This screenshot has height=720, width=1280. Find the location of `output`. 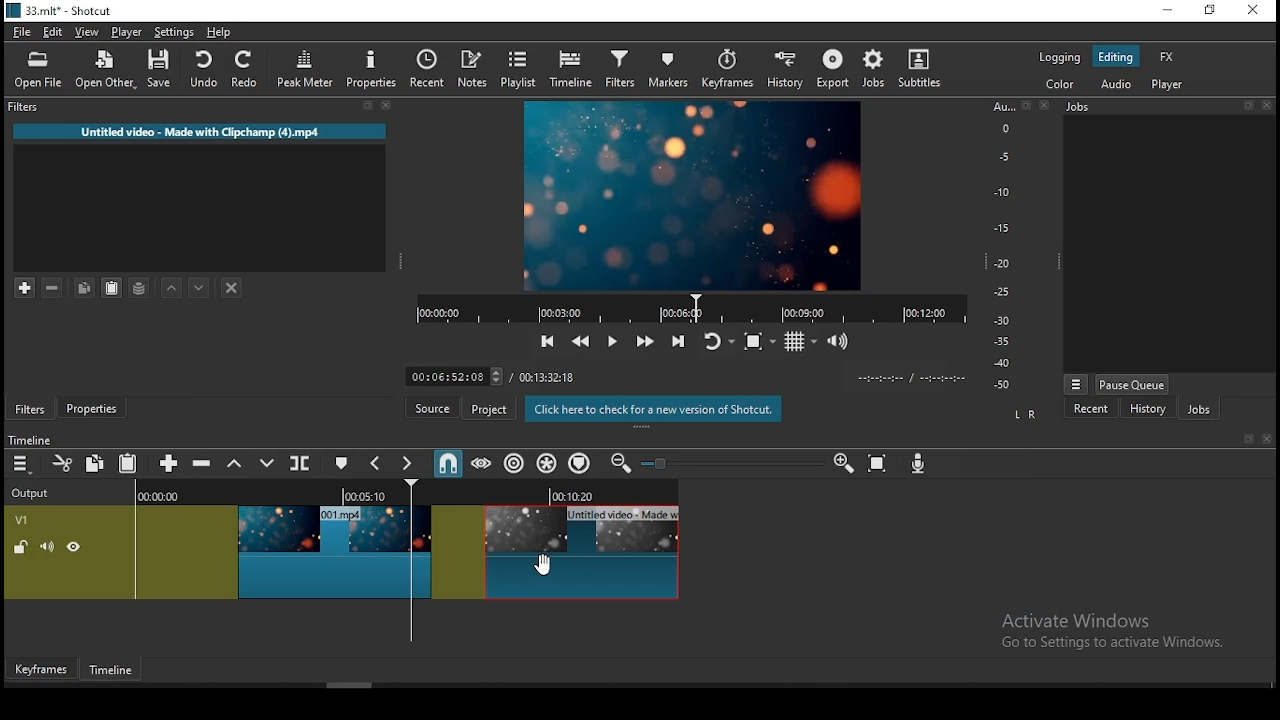

output is located at coordinates (33, 495).